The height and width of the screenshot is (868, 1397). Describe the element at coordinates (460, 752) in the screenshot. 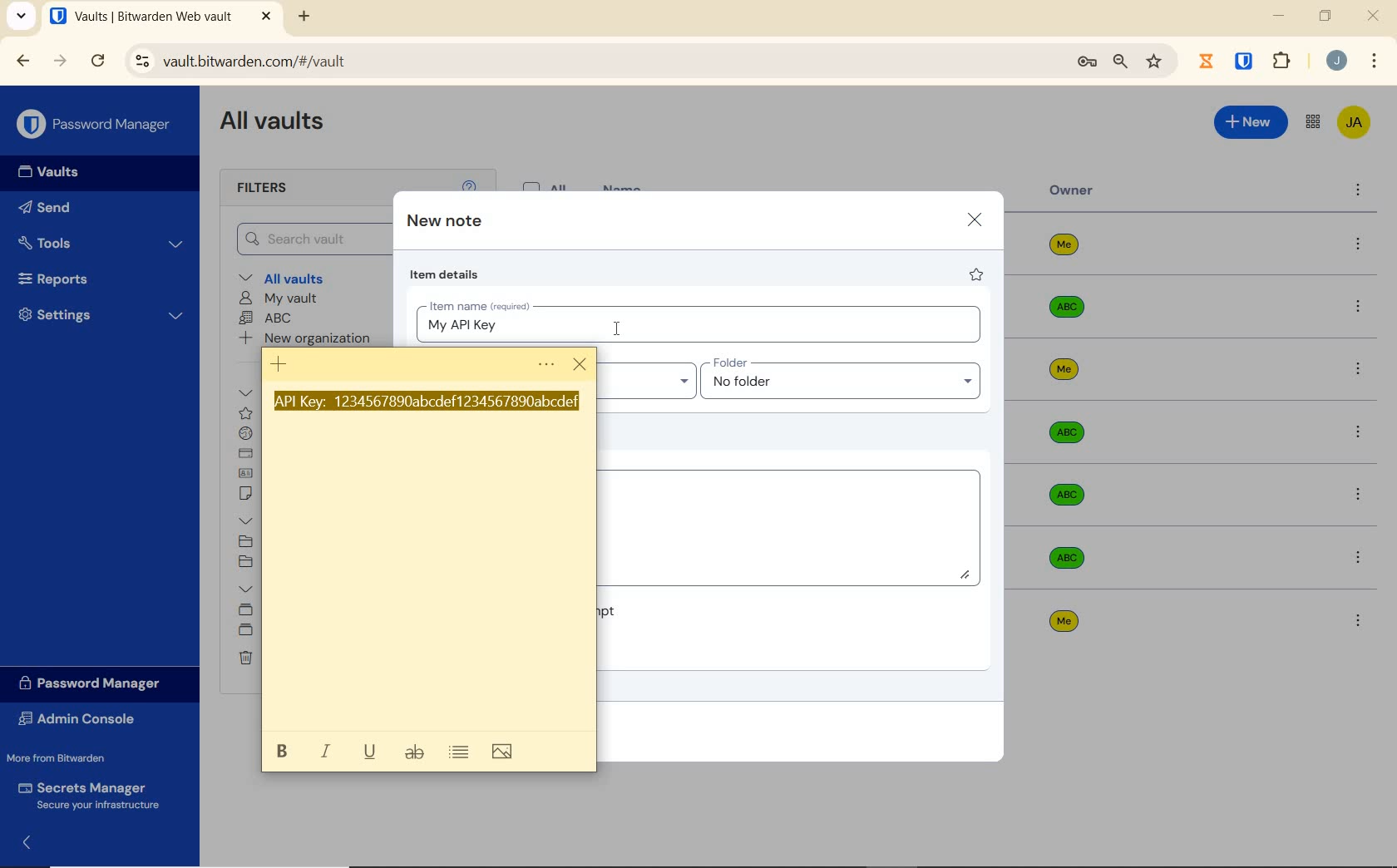

I see `toggle bullets` at that location.